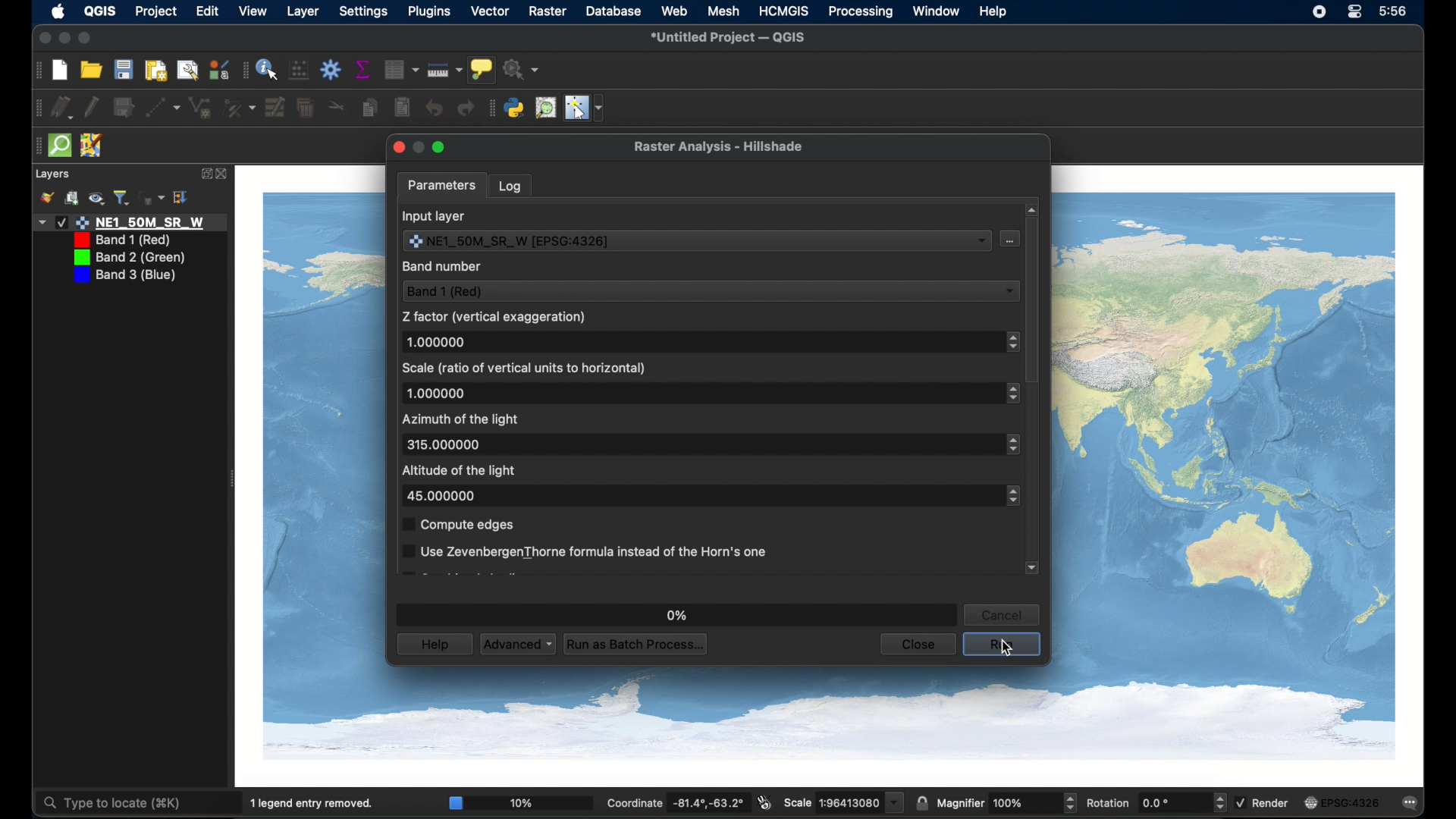  Describe the element at coordinates (268, 69) in the screenshot. I see `identify feature` at that location.